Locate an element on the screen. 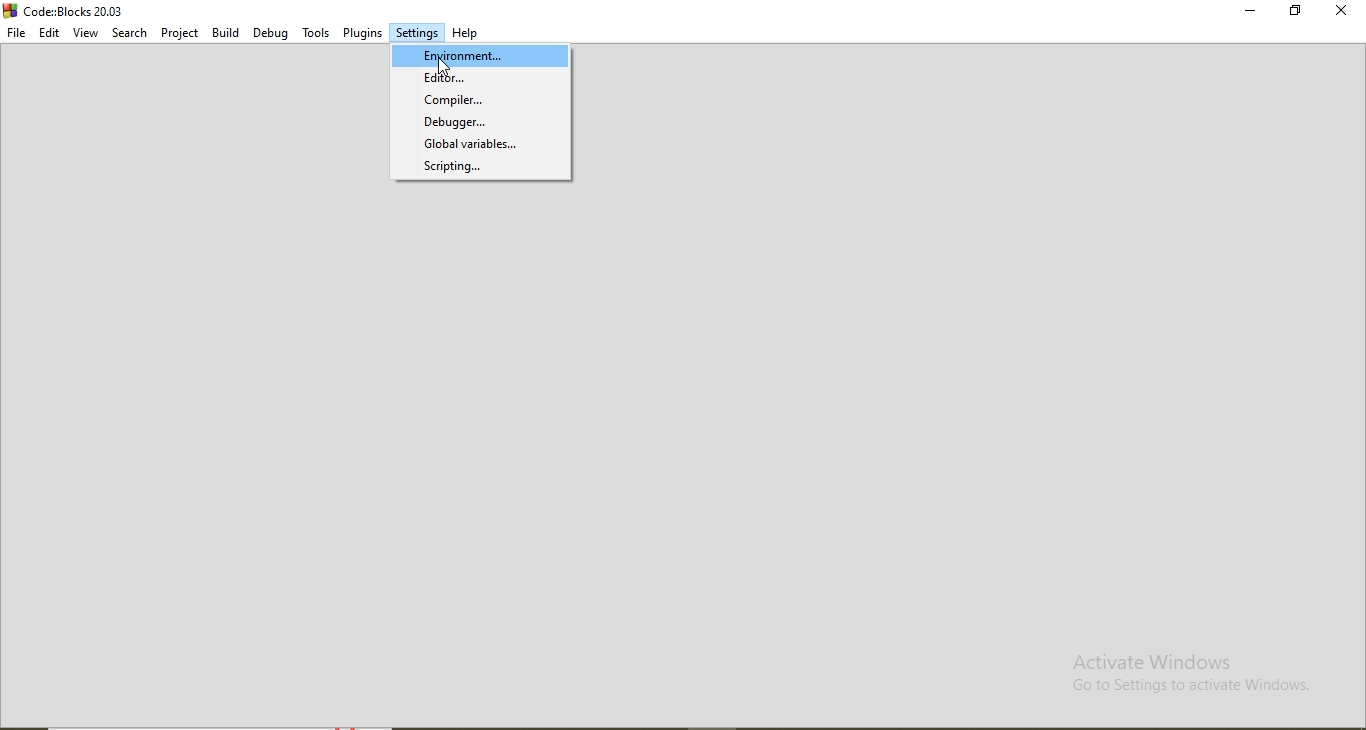  Tools  is located at coordinates (316, 33).